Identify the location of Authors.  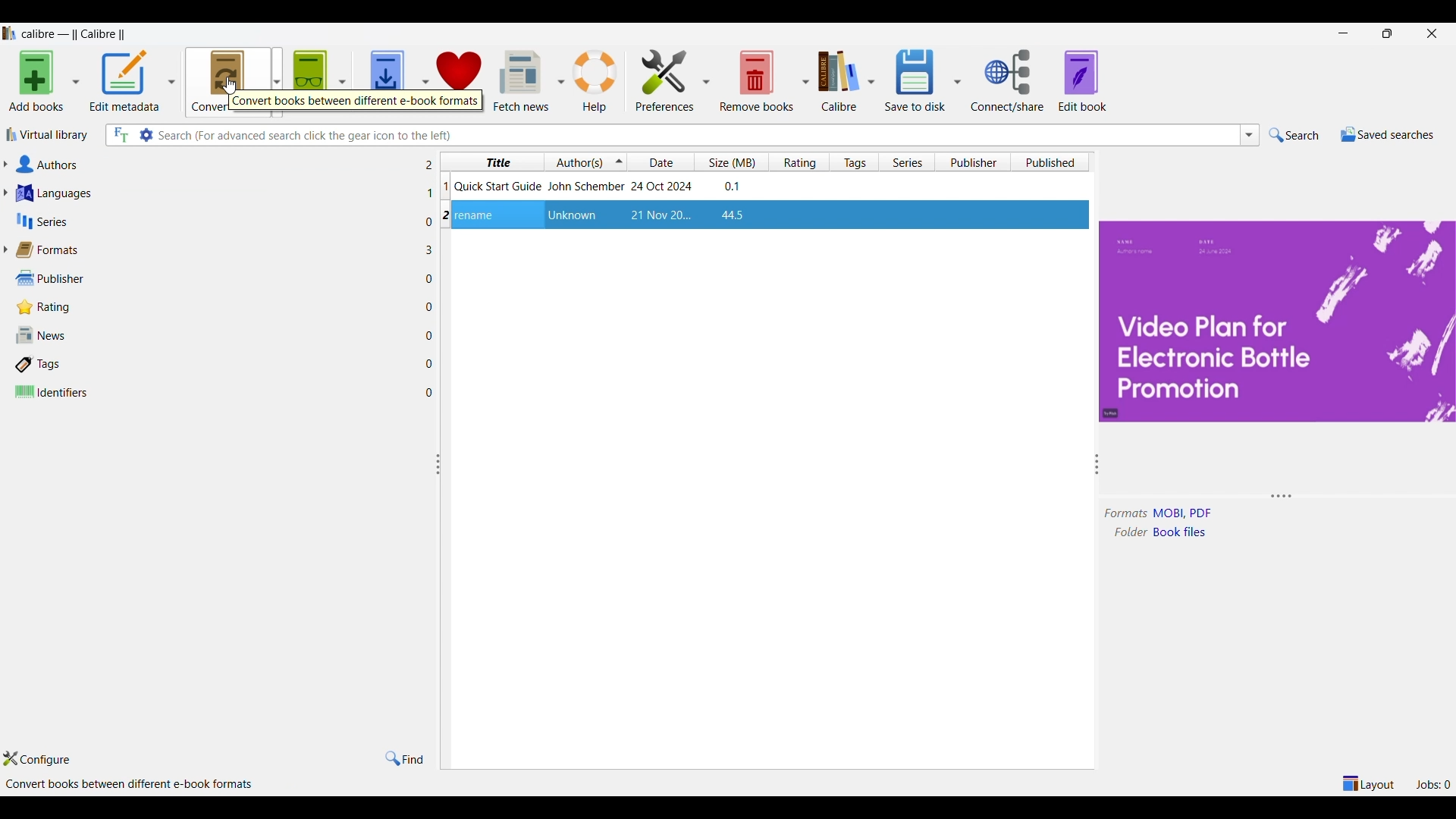
(215, 165).